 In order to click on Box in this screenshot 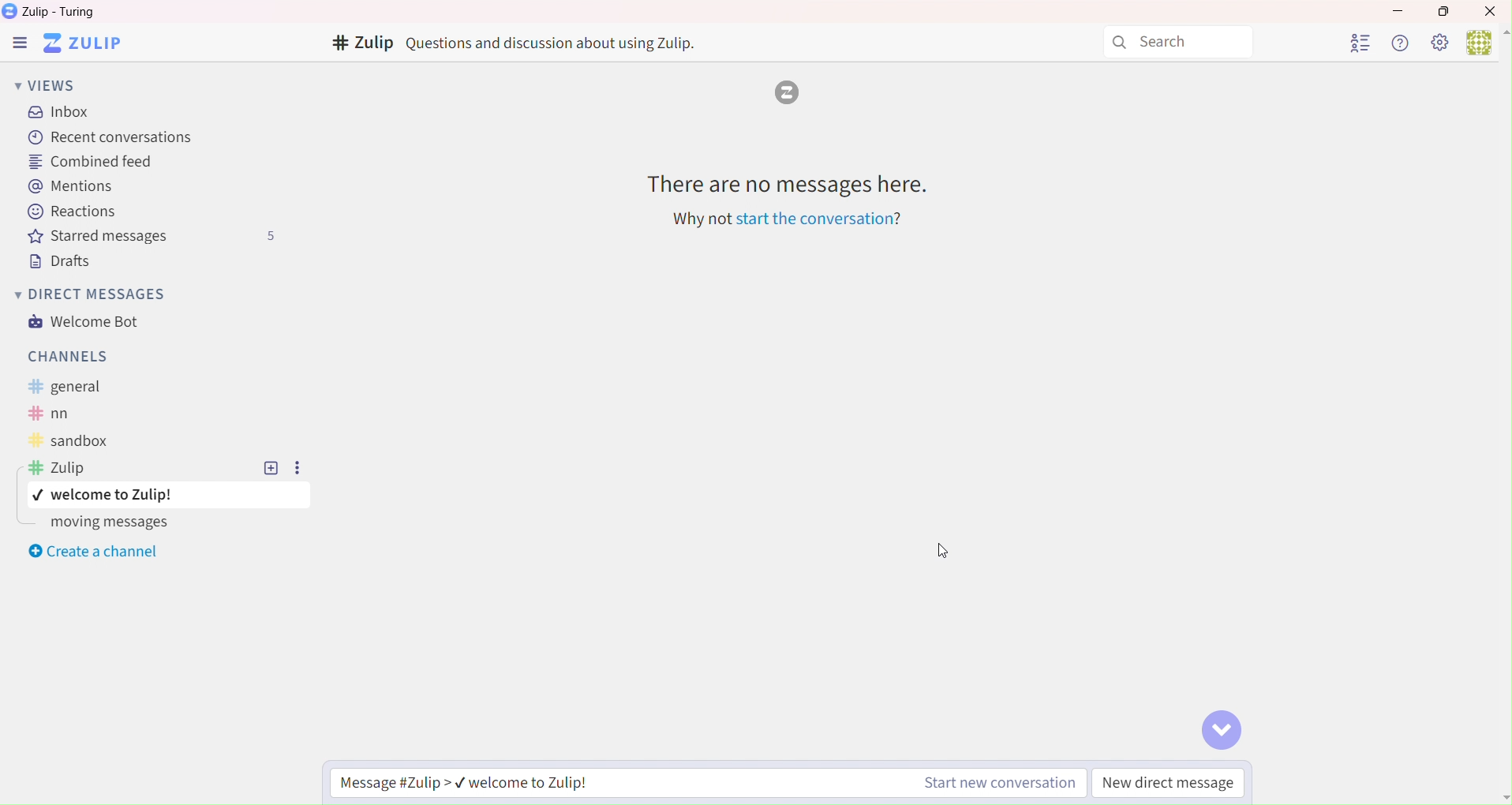, I will do `click(1446, 12)`.